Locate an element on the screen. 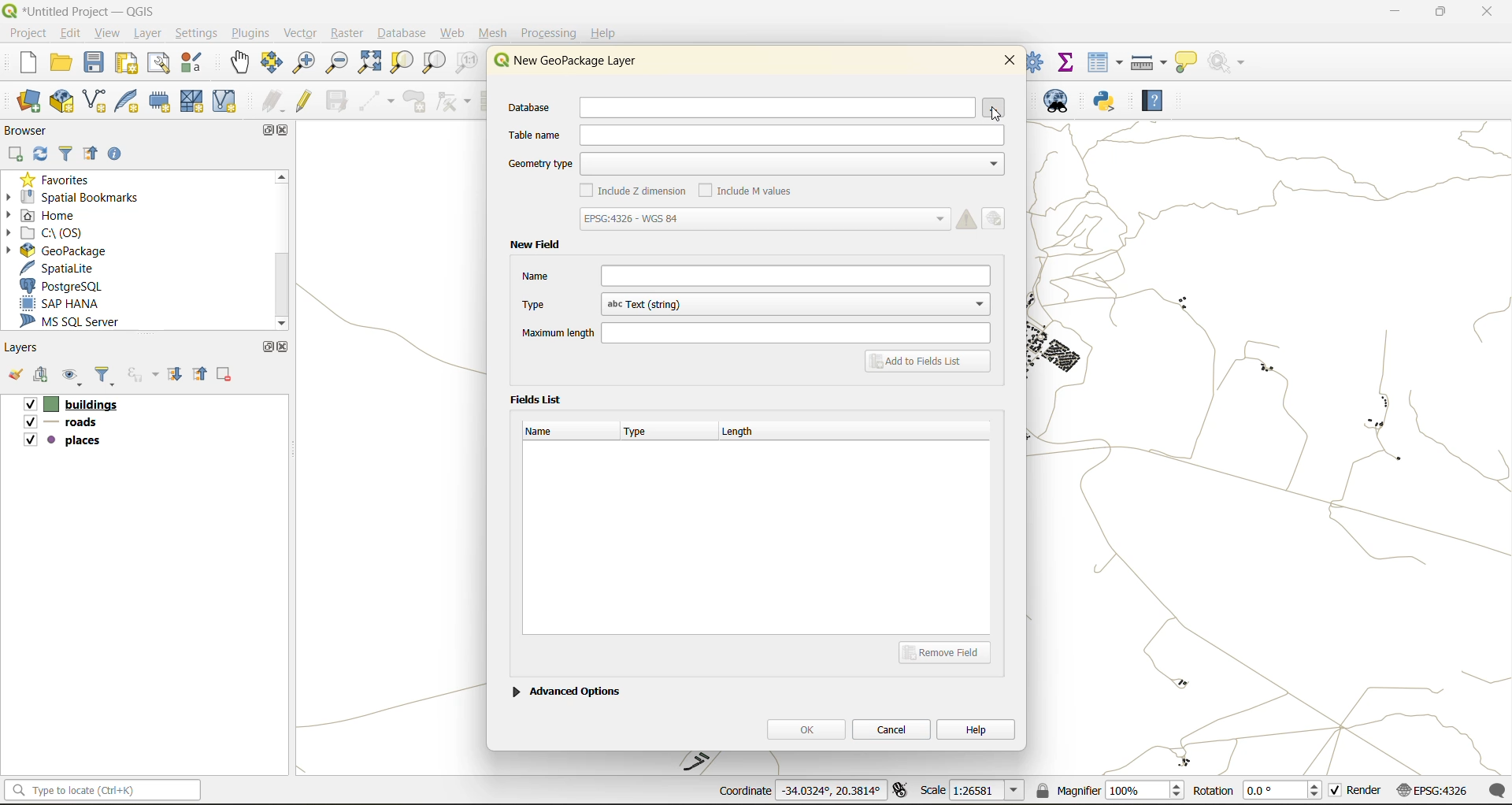  show tips is located at coordinates (1187, 63).